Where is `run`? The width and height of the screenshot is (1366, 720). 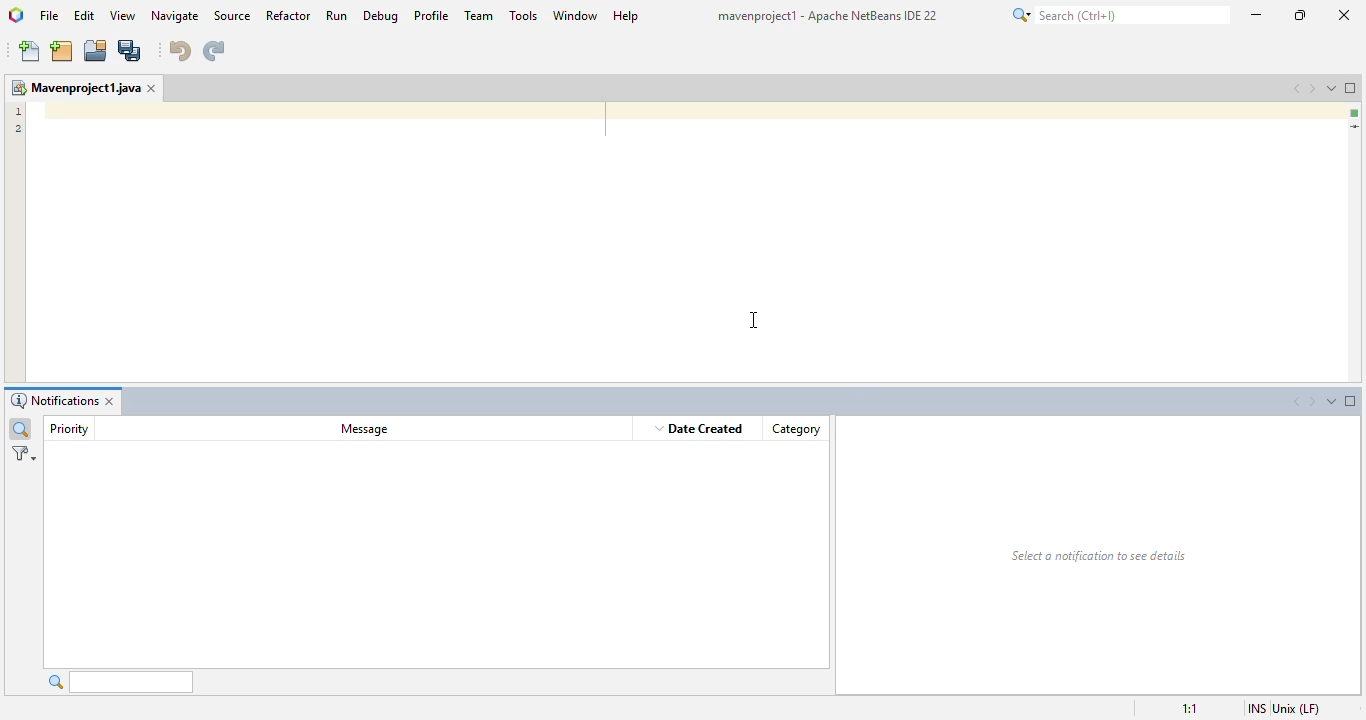 run is located at coordinates (336, 15).